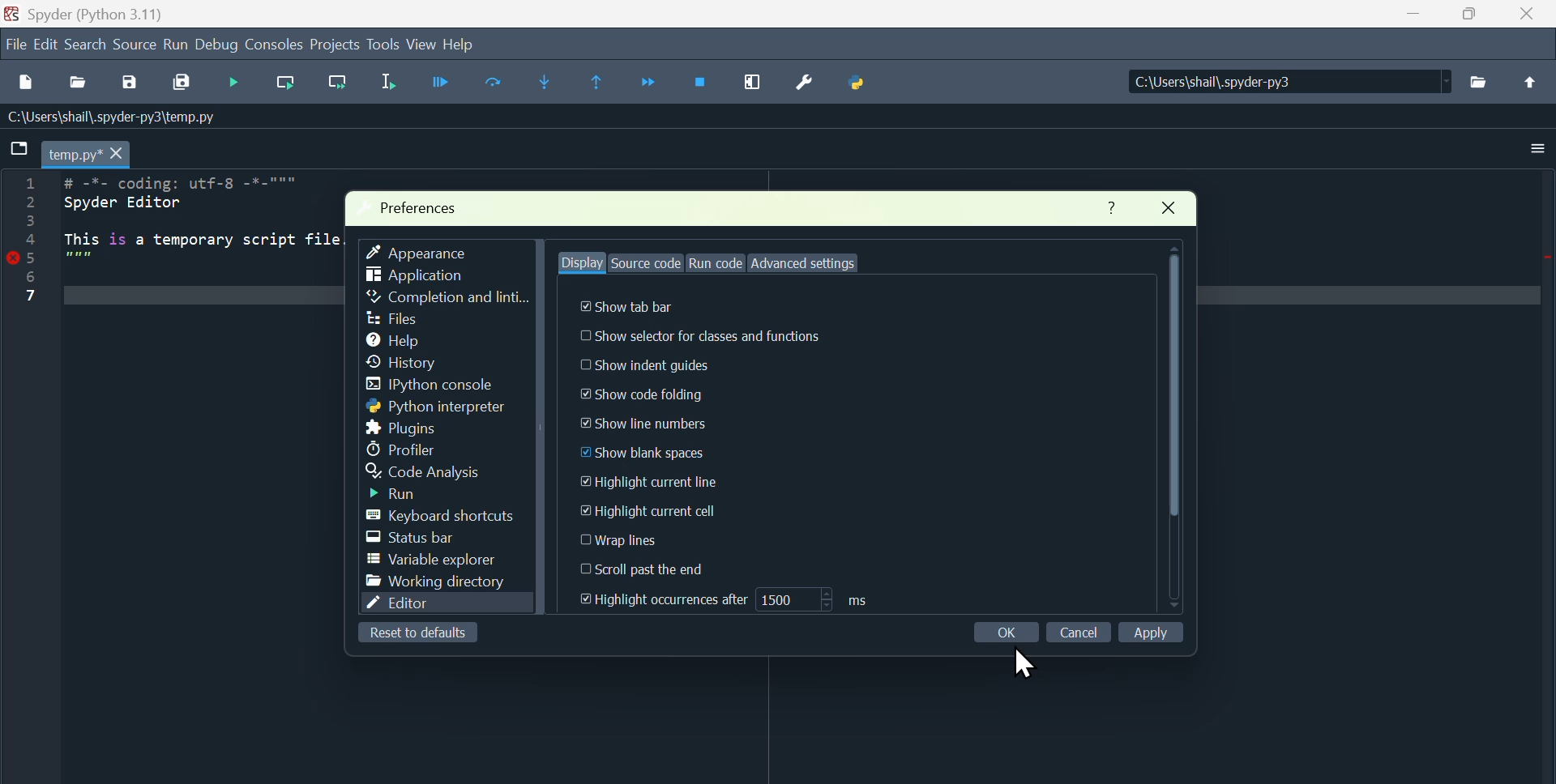 The height and width of the screenshot is (784, 1556). What do you see at coordinates (105, 18) in the screenshot?
I see `spyder (Python 3.11)` at bounding box center [105, 18].